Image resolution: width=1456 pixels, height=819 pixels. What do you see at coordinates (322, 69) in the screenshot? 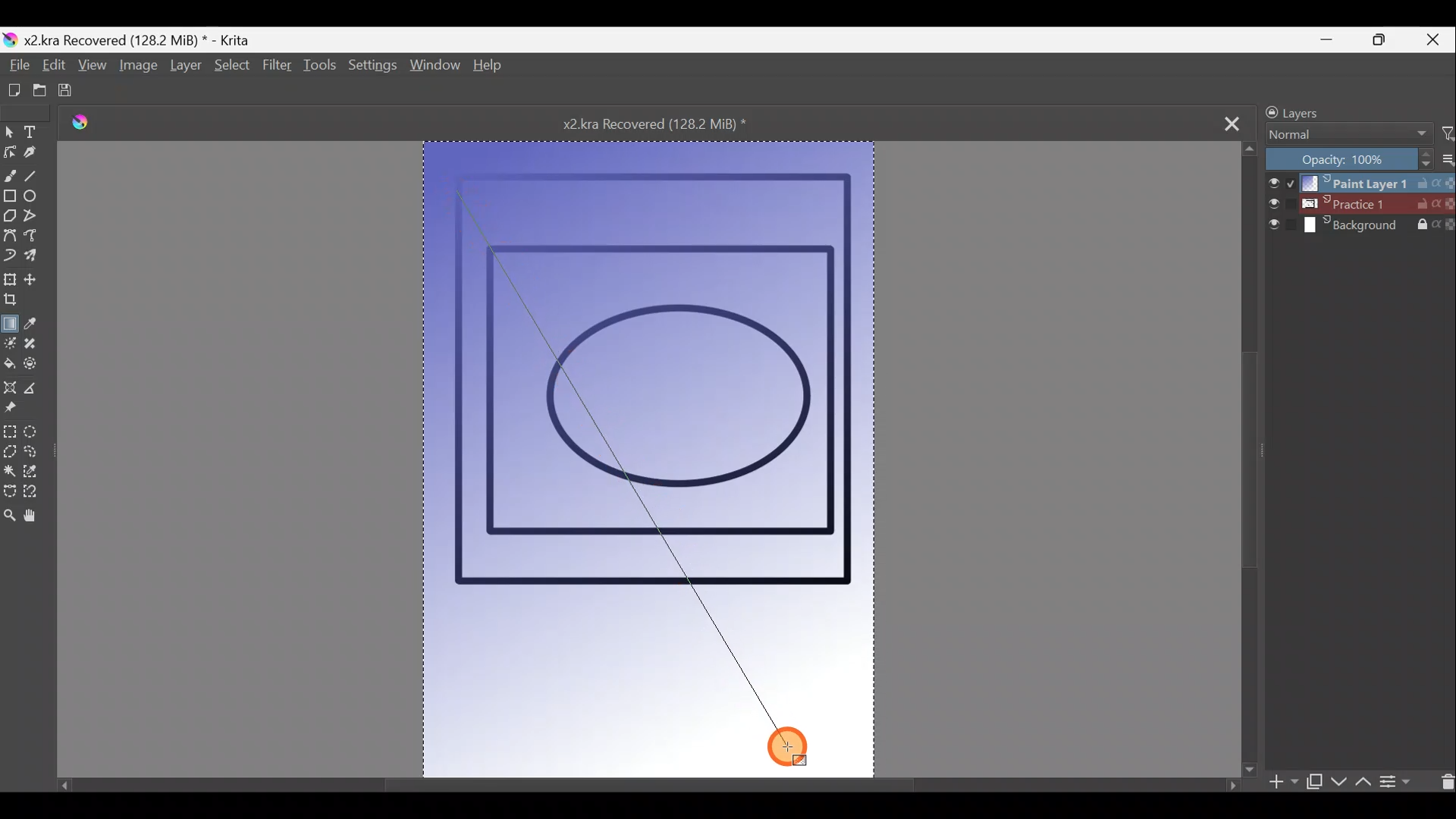
I see `Tools` at bounding box center [322, 69].